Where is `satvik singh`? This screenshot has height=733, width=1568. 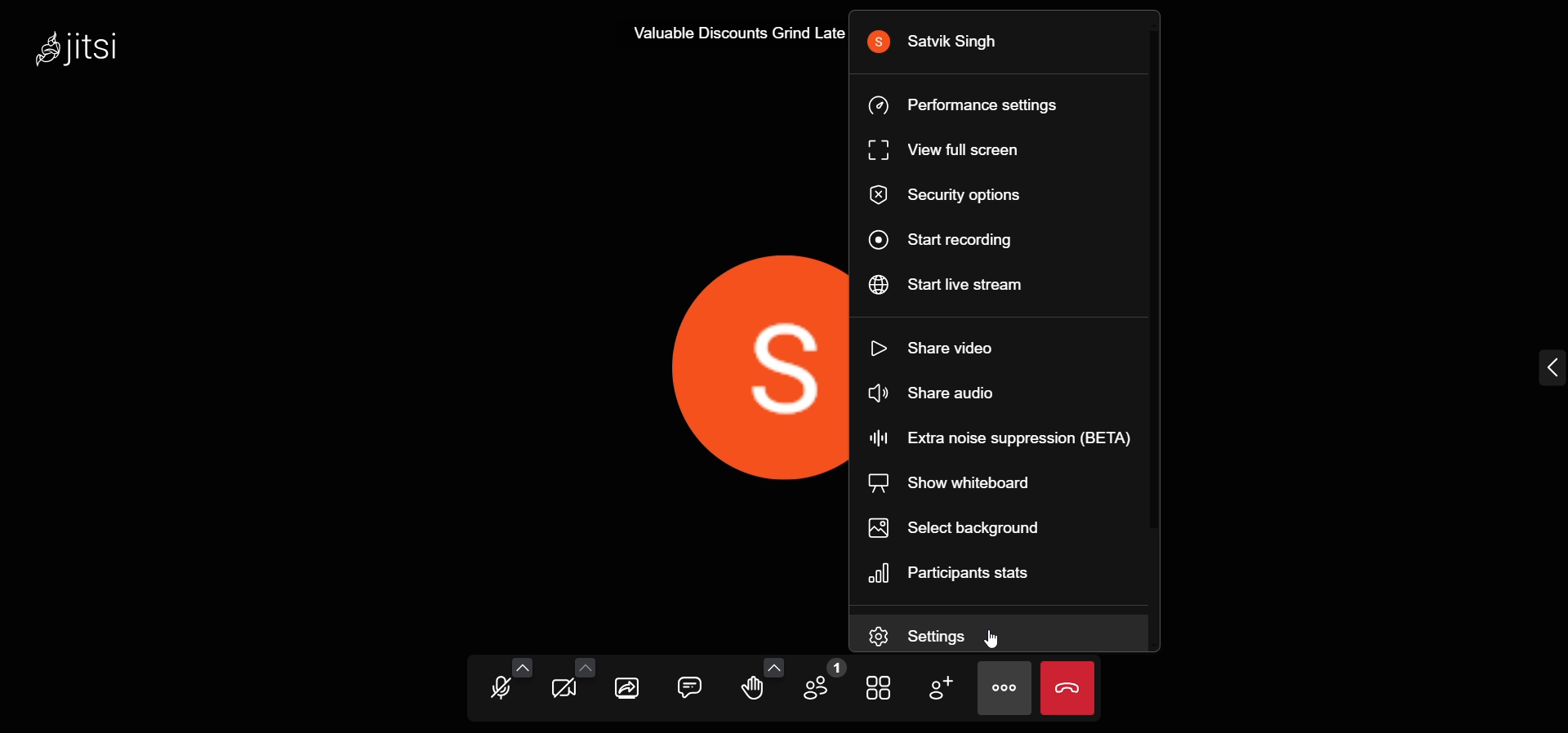 satvik singh is located at coordinates (947, 42).